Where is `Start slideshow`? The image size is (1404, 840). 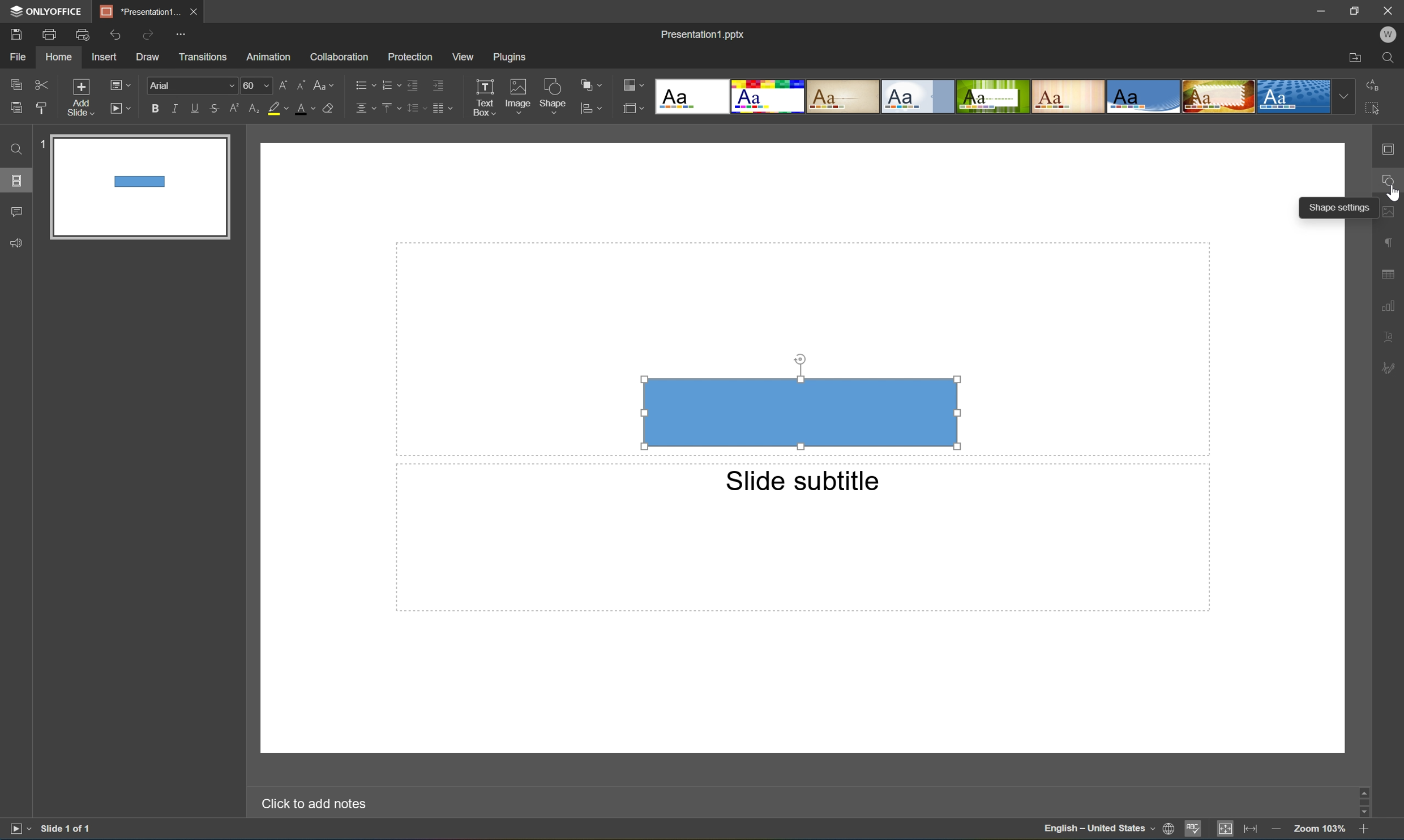
Start slideshow is located at coordinates (16, 831).